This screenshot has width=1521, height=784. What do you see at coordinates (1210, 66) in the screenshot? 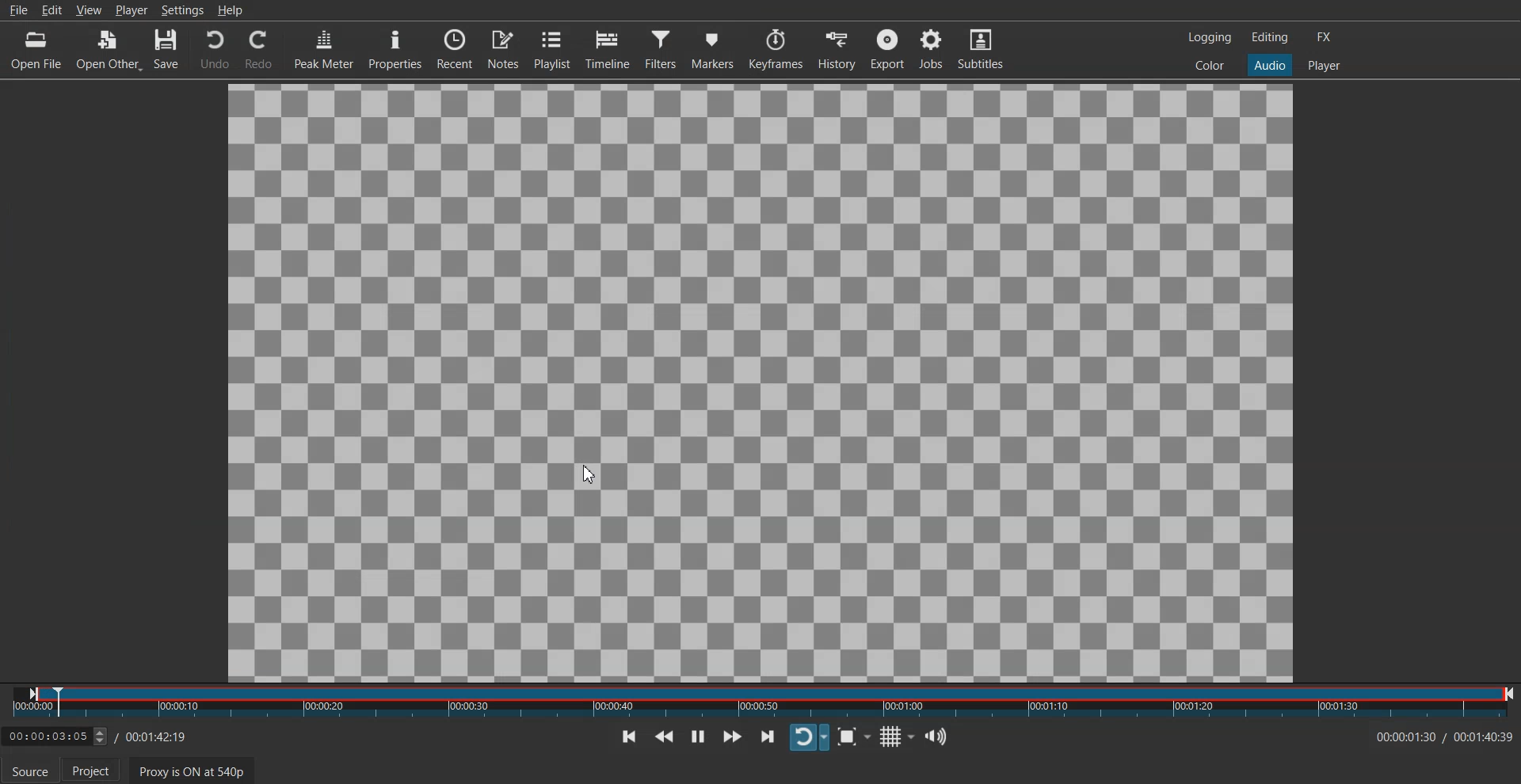
I see `Color` at bounding box center [1210, 66].